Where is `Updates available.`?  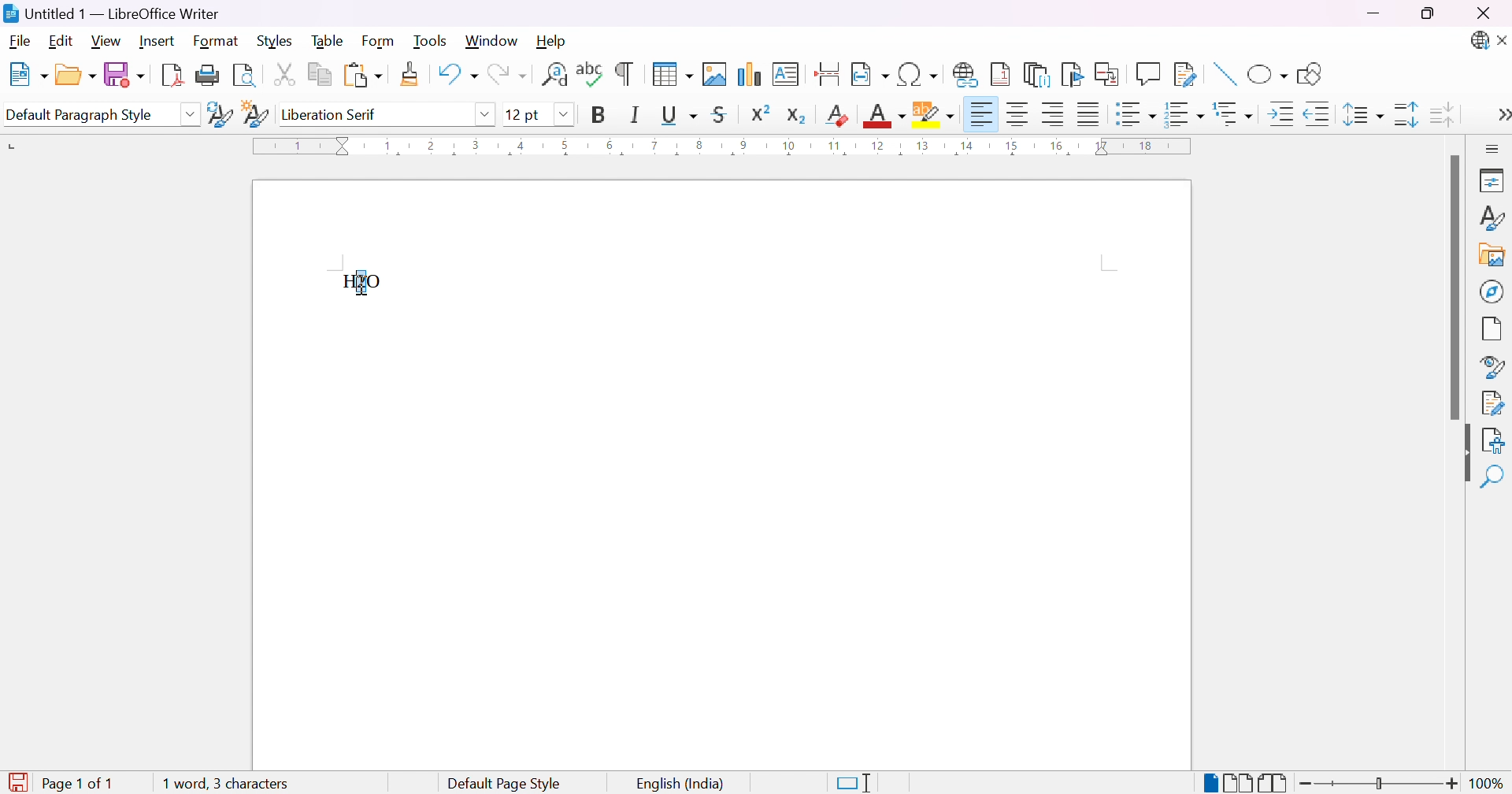 Updates available. is located at coordinates (1478, 41).